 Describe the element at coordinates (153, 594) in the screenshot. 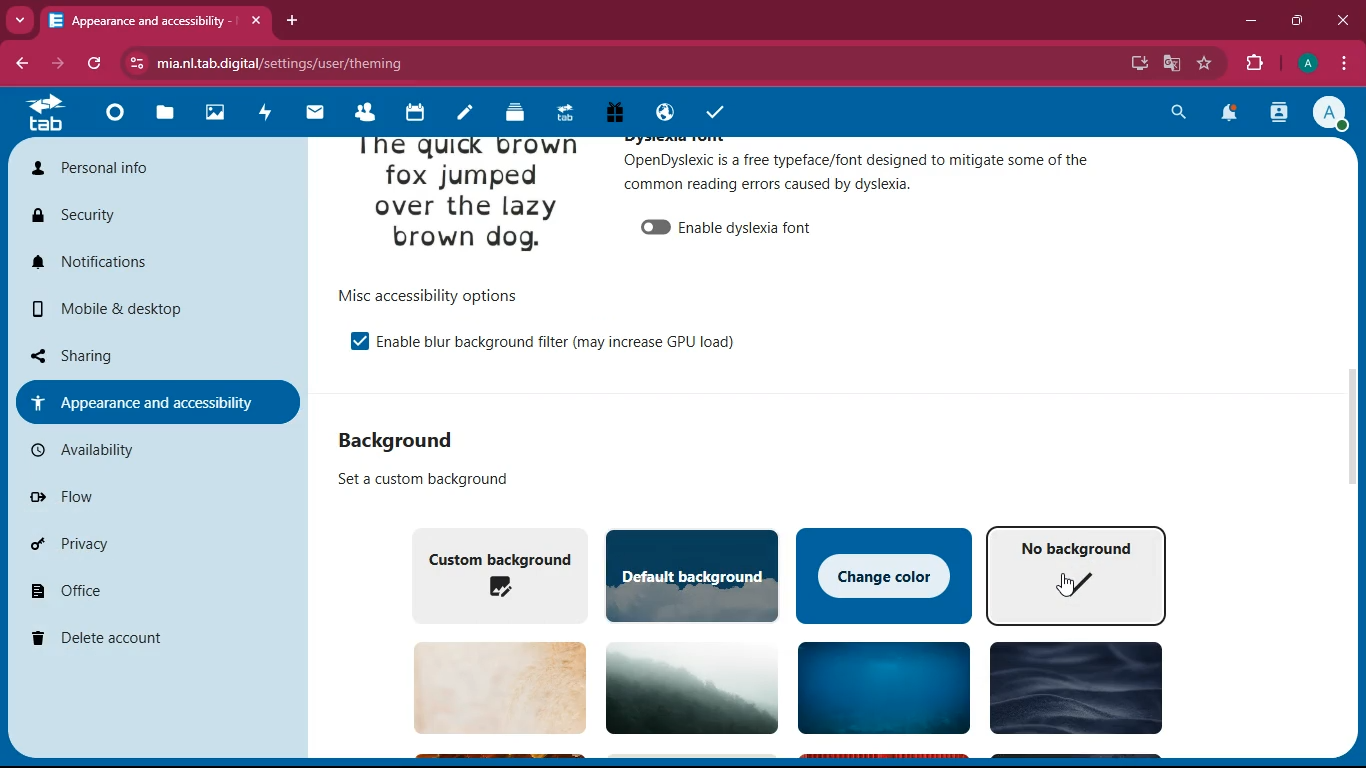

I see `office` at that location.